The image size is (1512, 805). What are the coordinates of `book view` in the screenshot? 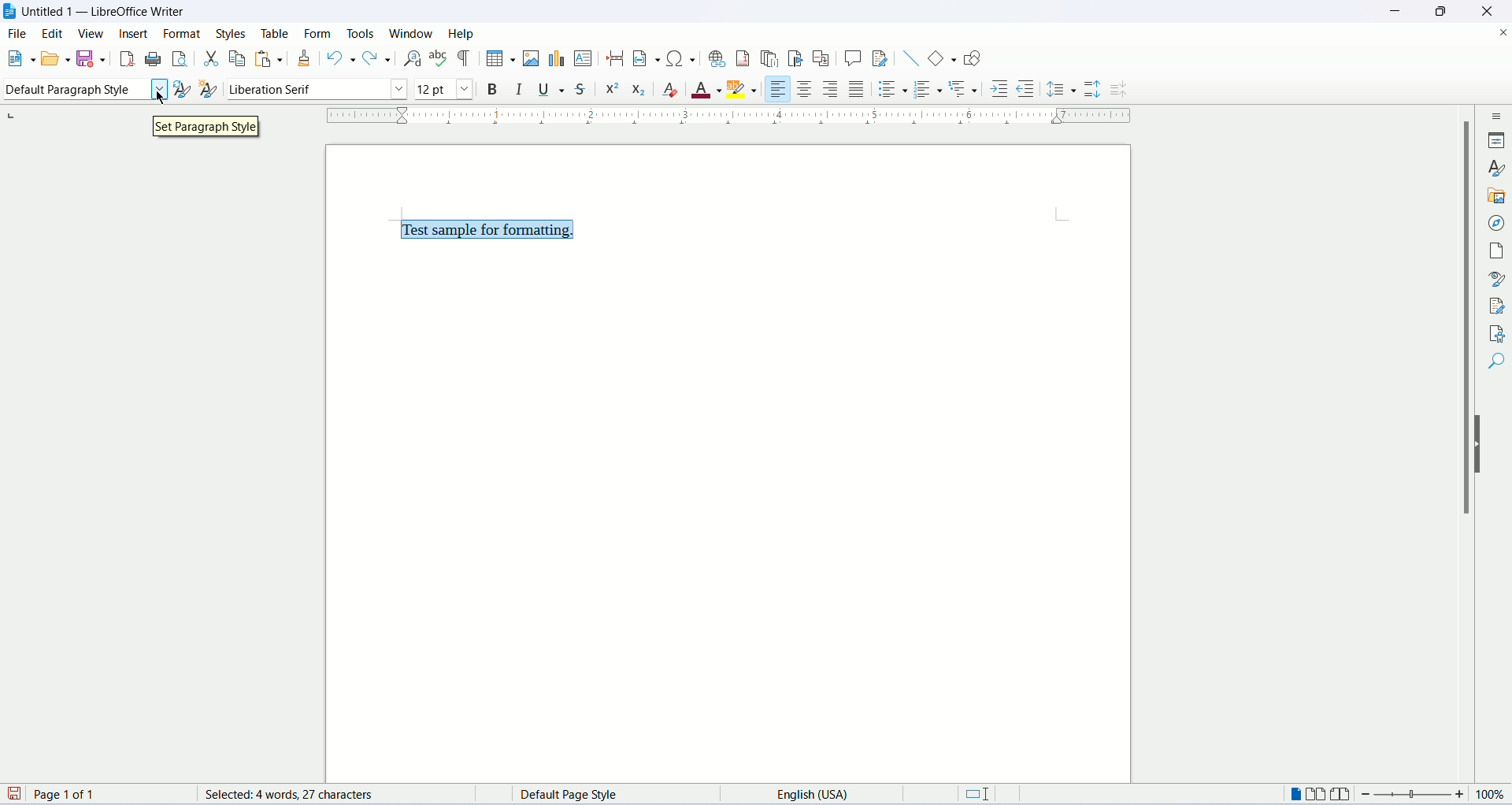 It's located at (1343, 794).